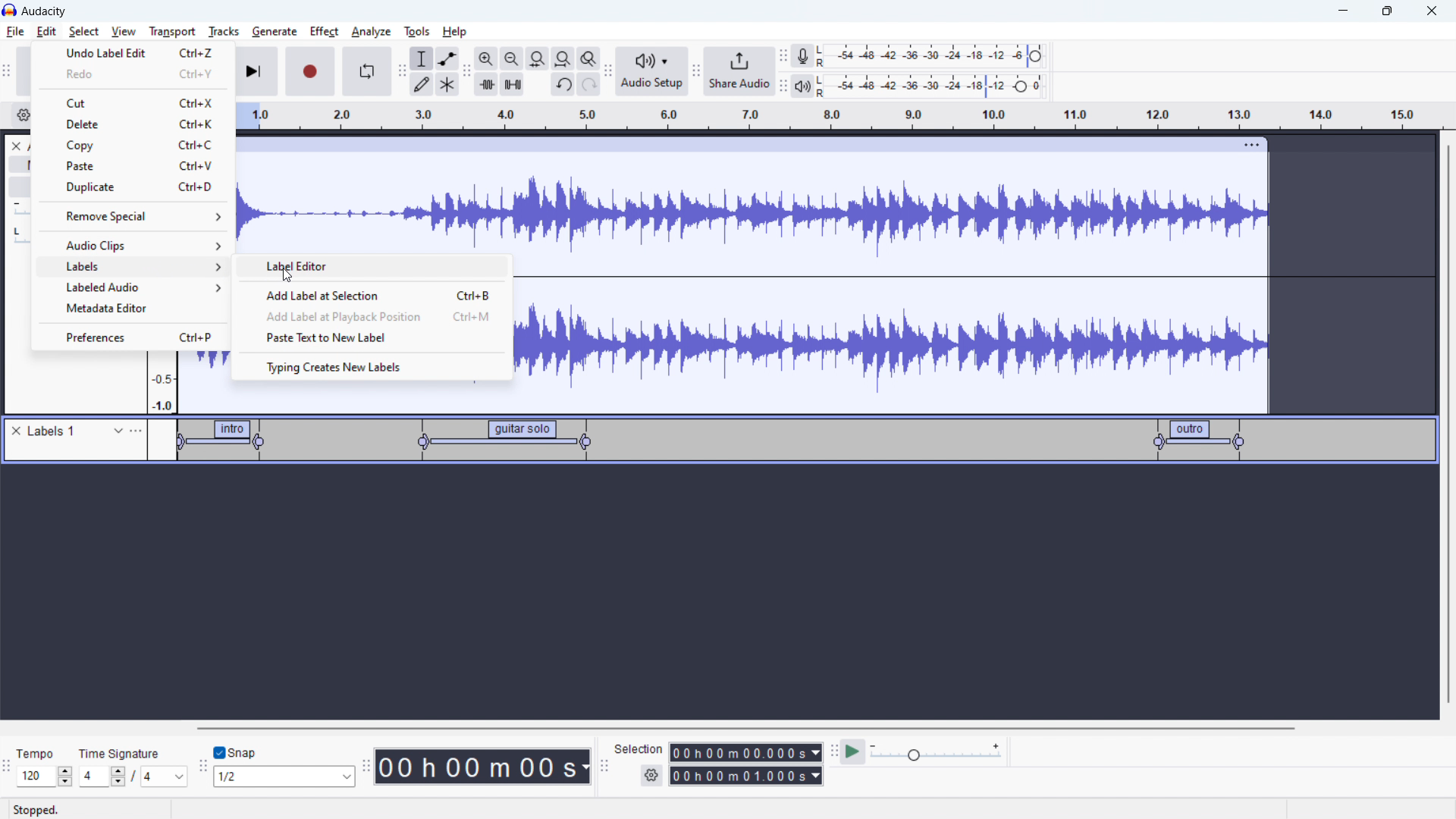 The height and width of the screenshot is (819, 1456). I want to click on zoom in, so click(486, 58).